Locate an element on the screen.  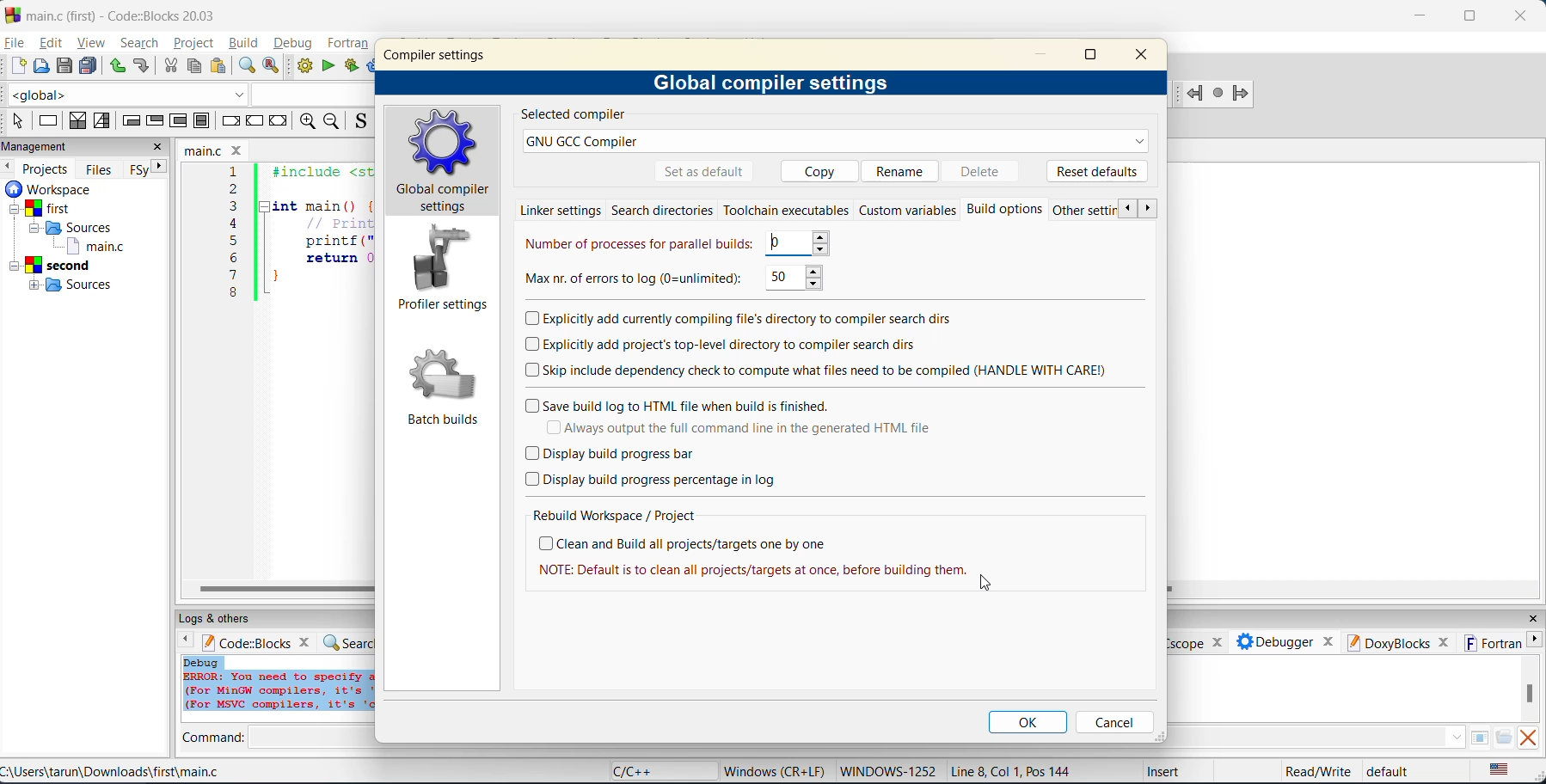
instruction is located at coordinates (52, 120).